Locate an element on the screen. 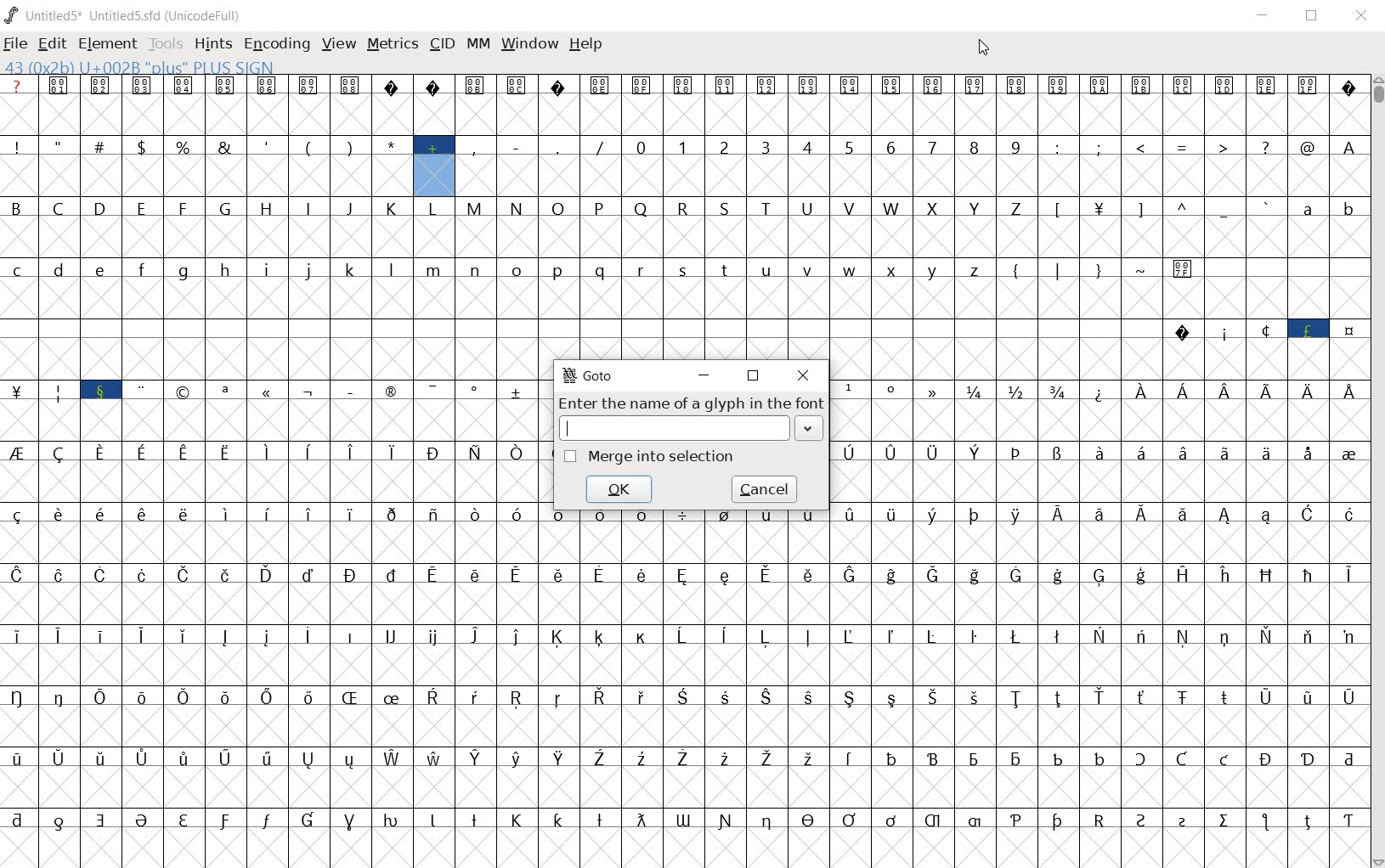 The image size is (1385, 868). glyphs is located at coordinates (270, 471).